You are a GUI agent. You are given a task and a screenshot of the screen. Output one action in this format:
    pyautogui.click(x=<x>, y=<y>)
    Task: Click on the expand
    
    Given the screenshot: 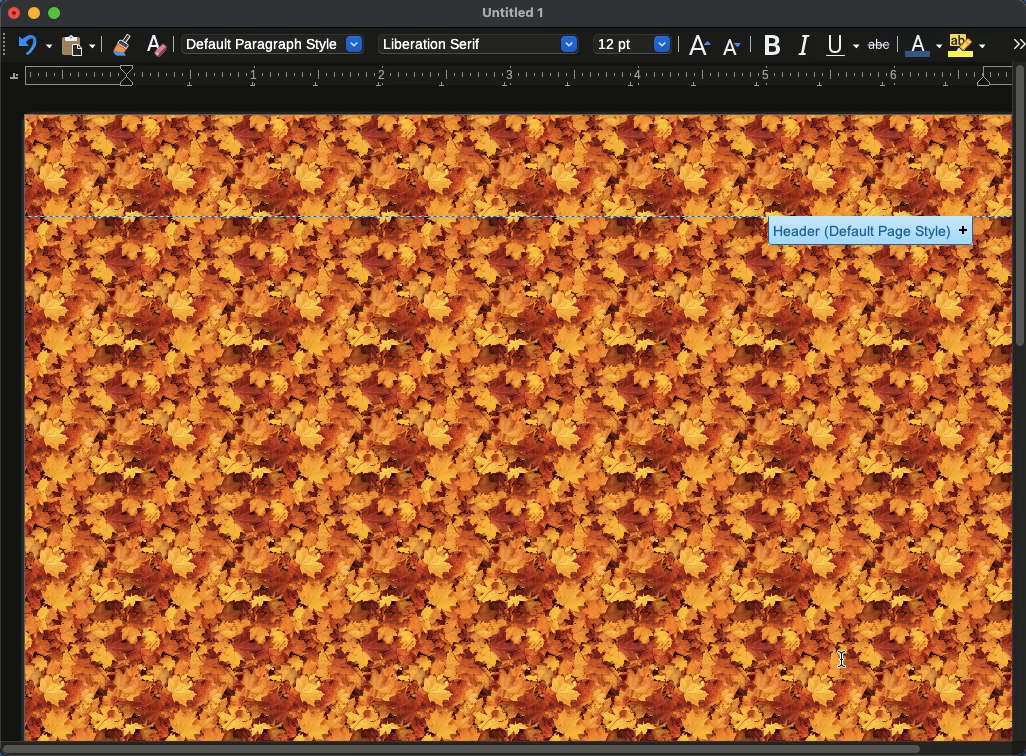 What is the action you would take?
    pyautogui.click(x=1018, y=45)
    